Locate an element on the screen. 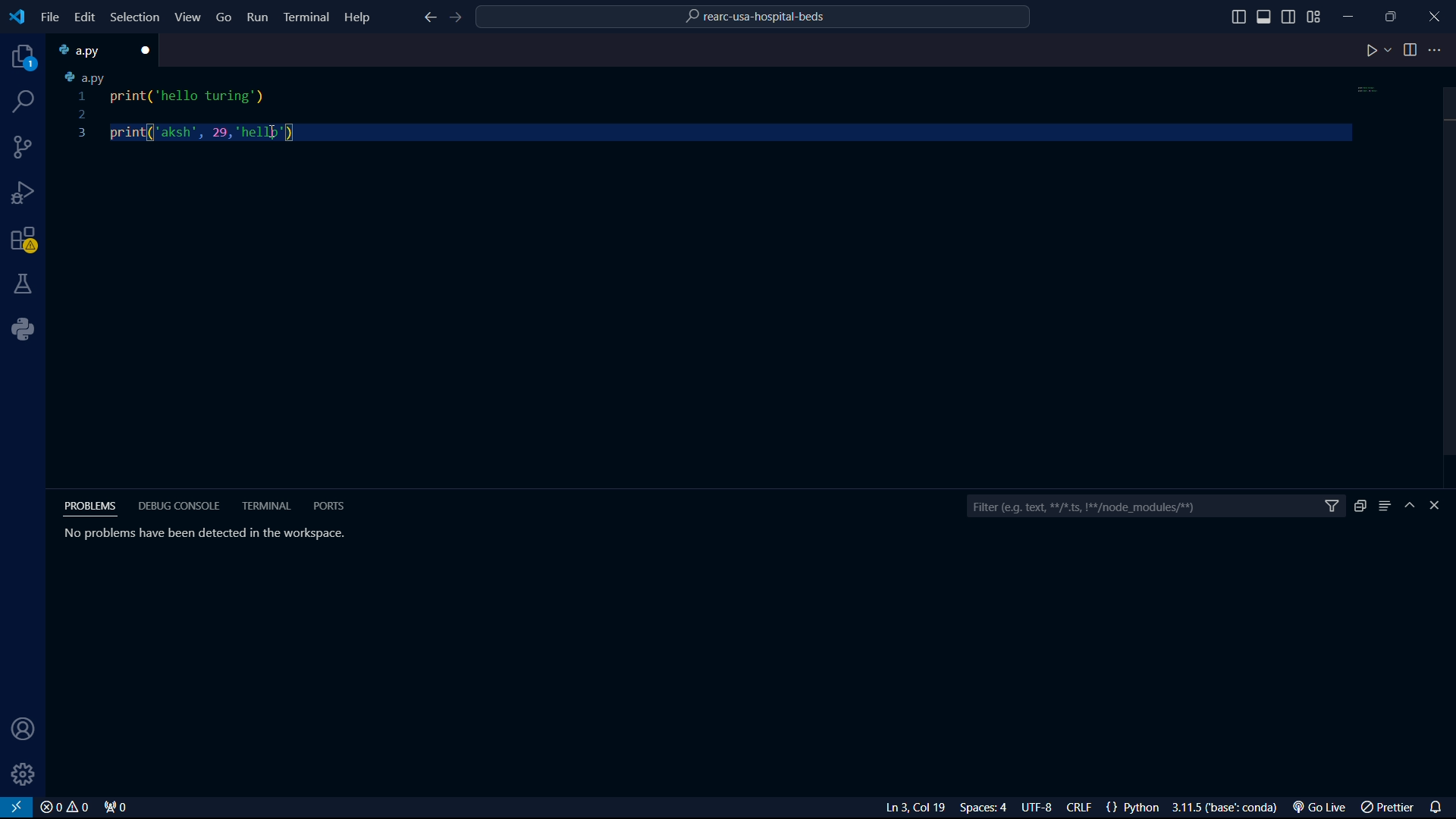 The image size is (1456, 819). close program is located at coordinates (1435, 14).